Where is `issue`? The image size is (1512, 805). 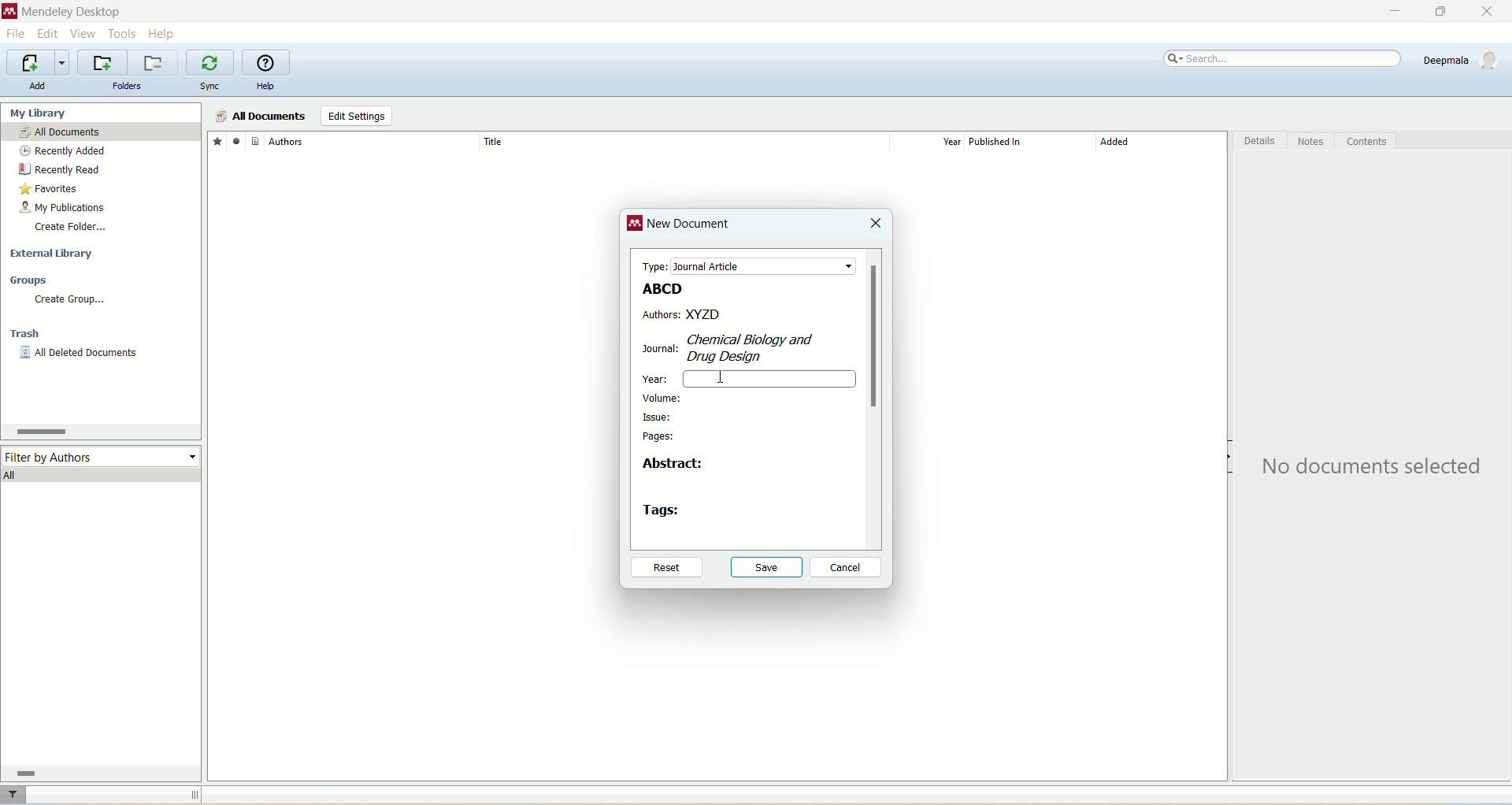
issue is located at coordinates (658, 417).